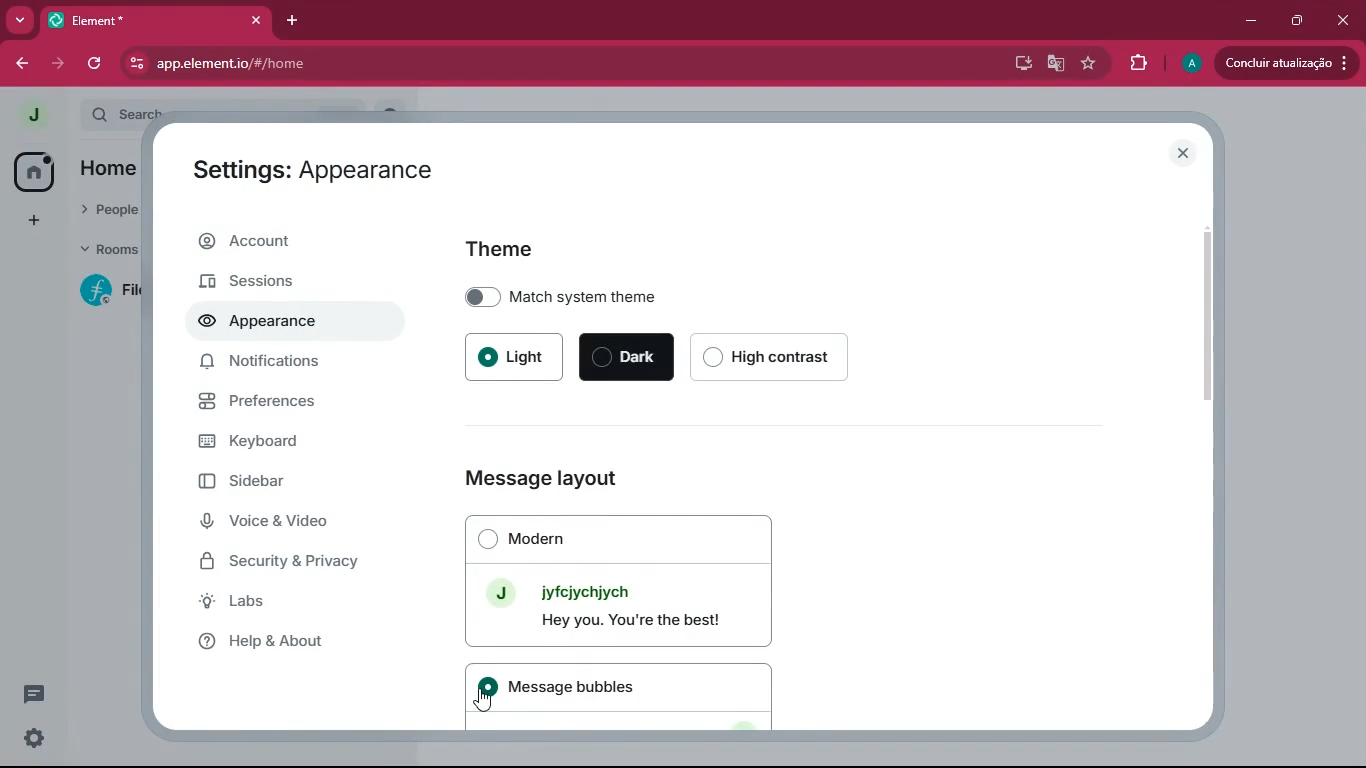 This screenshot has height=768, width=1366. Describe the element at coordinates (1141, 63) in the screenshot. I see `extension` at that location.